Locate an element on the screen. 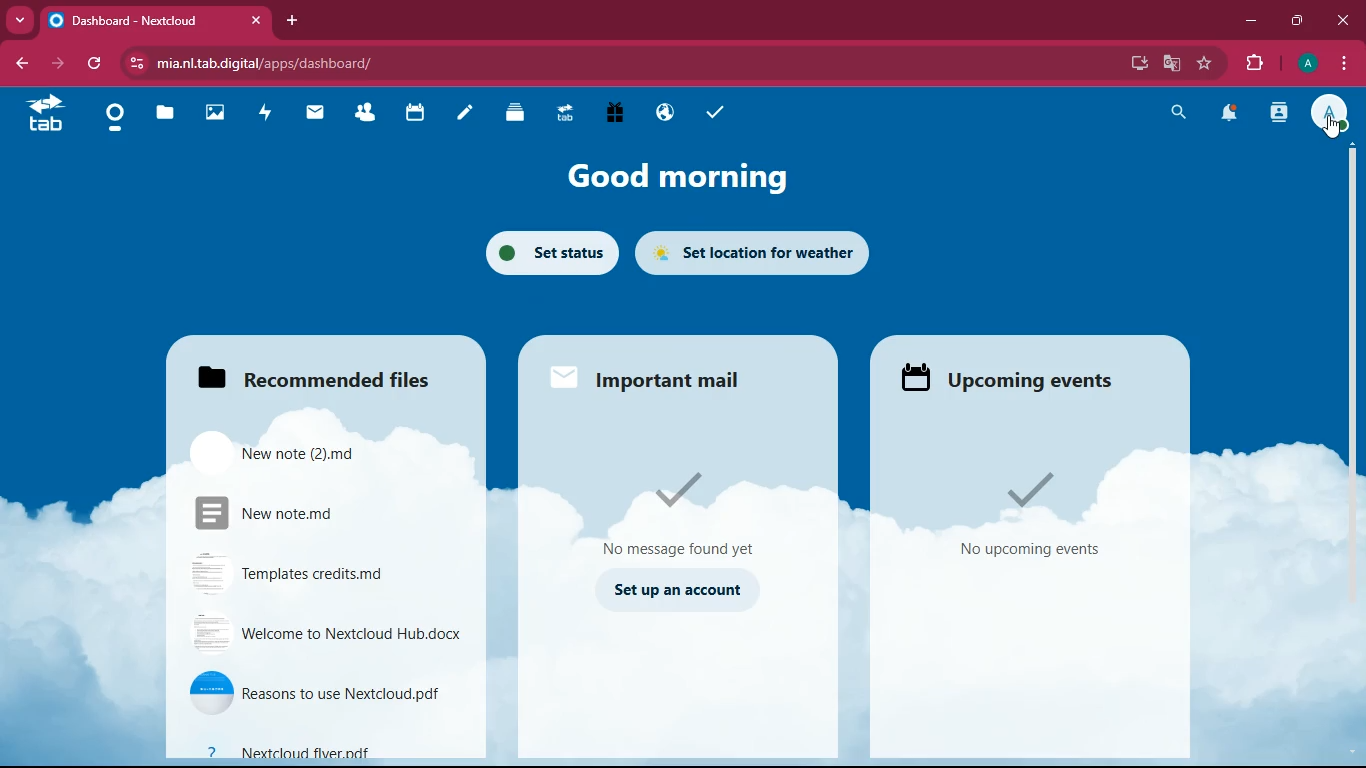 The image size is (1366, 768). home is located at coordinates (112, 119).